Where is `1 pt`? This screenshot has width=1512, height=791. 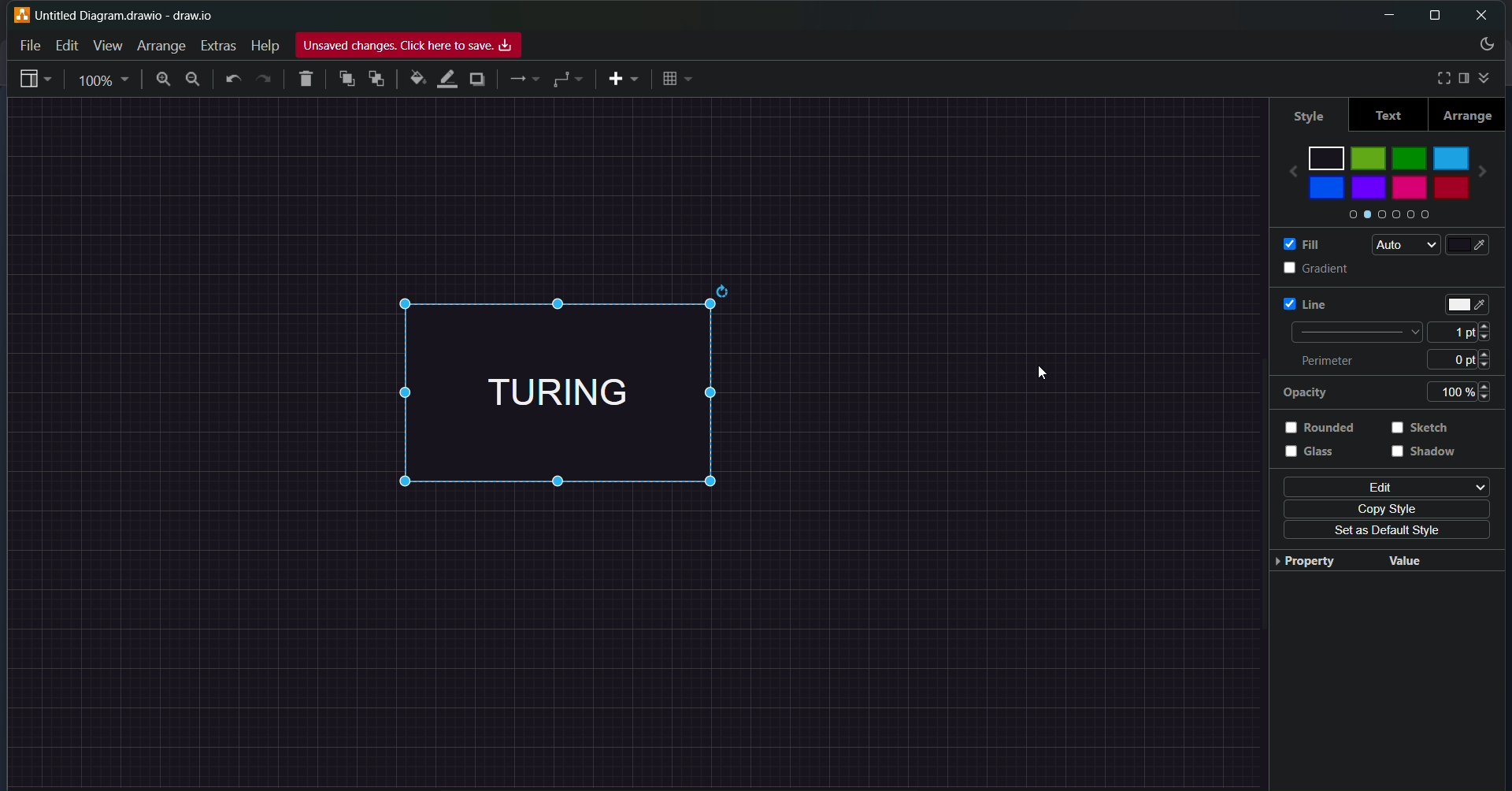
1 pt is located at coordinates (1466, 332).